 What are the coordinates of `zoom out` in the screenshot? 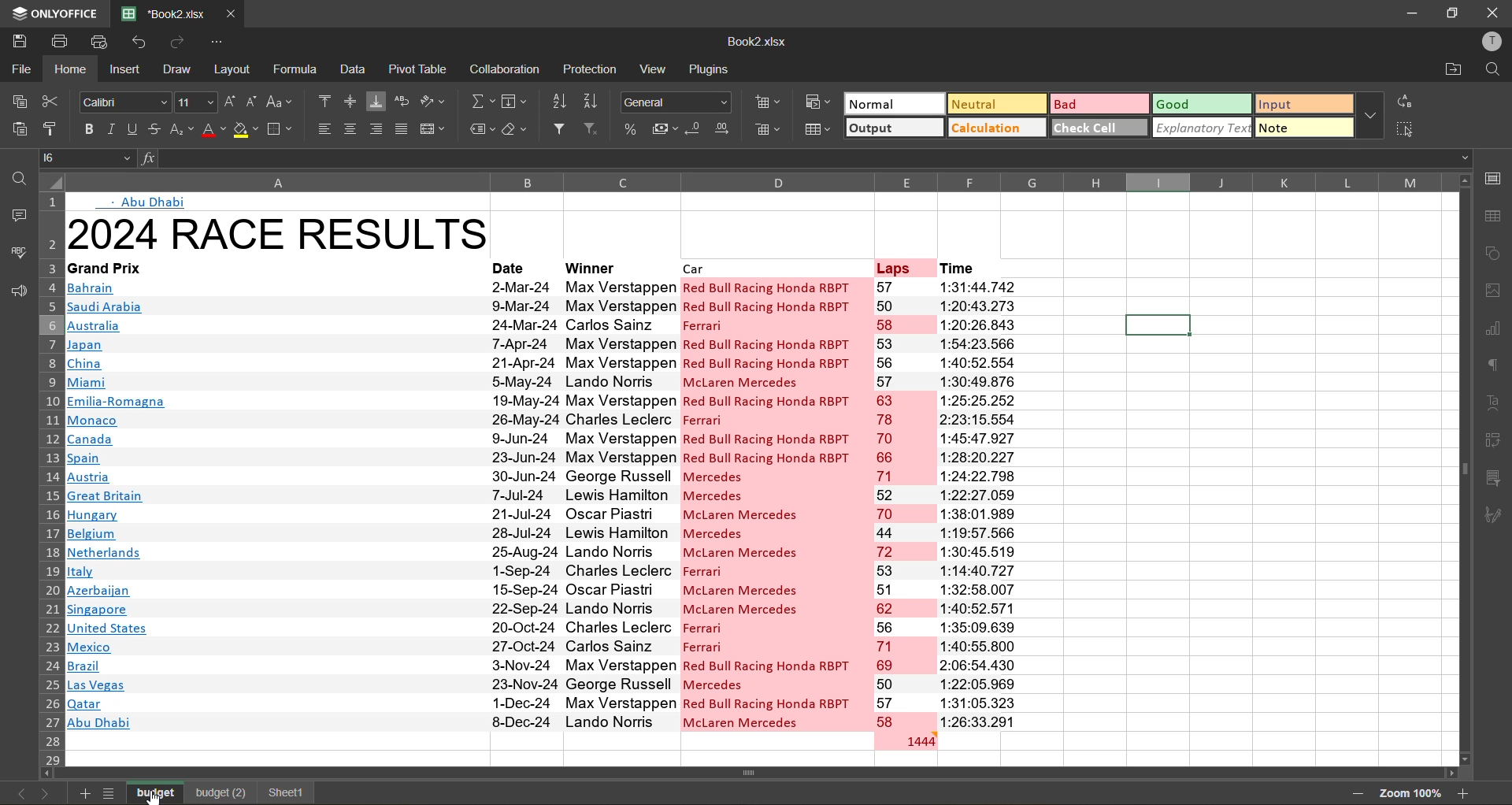 It's located at (1352, 793).